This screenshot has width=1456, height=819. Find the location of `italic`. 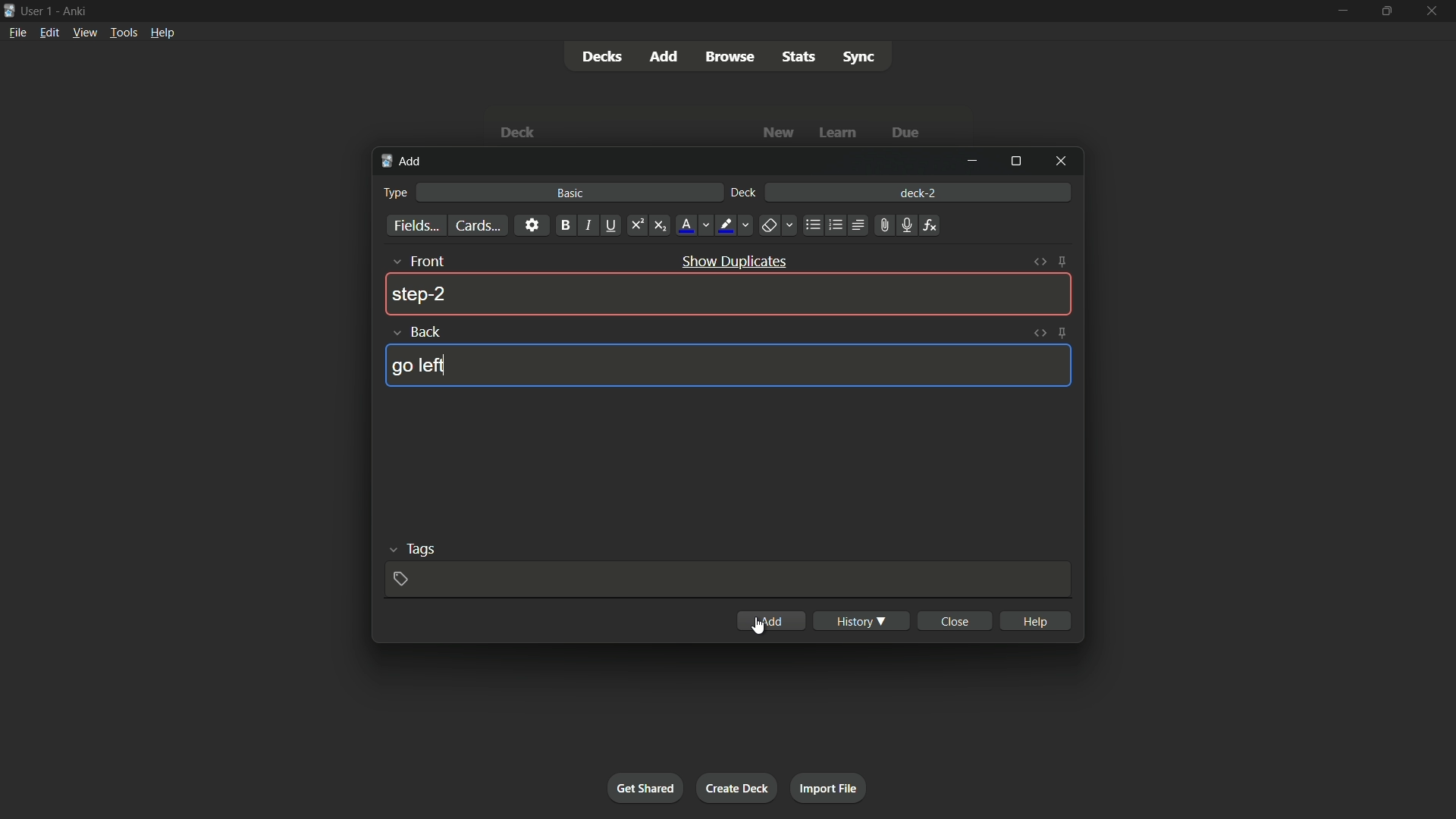

italic is located at coordinates (587, 226).